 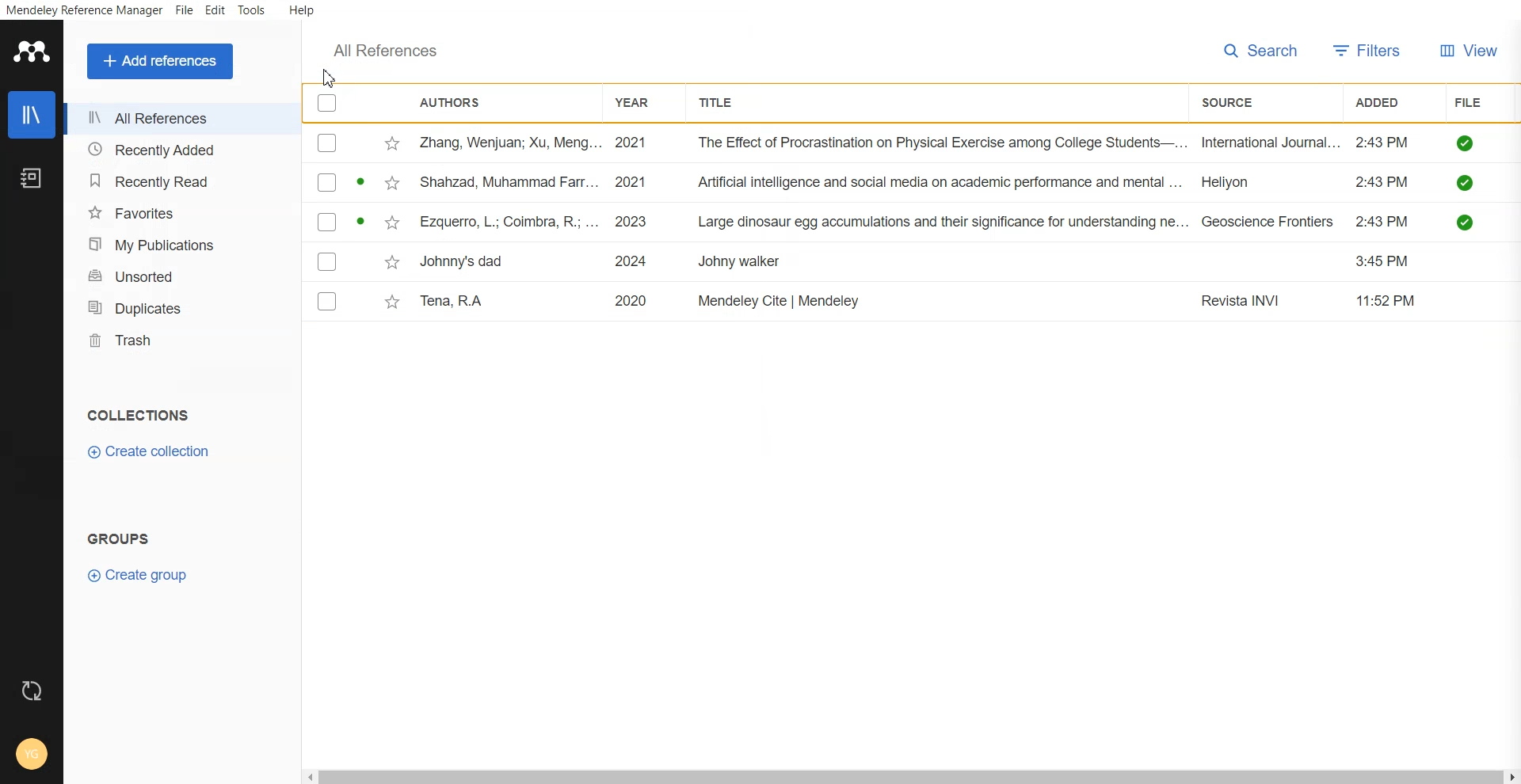 I want to click on Johnny's dad, so click(x=465, y=259).